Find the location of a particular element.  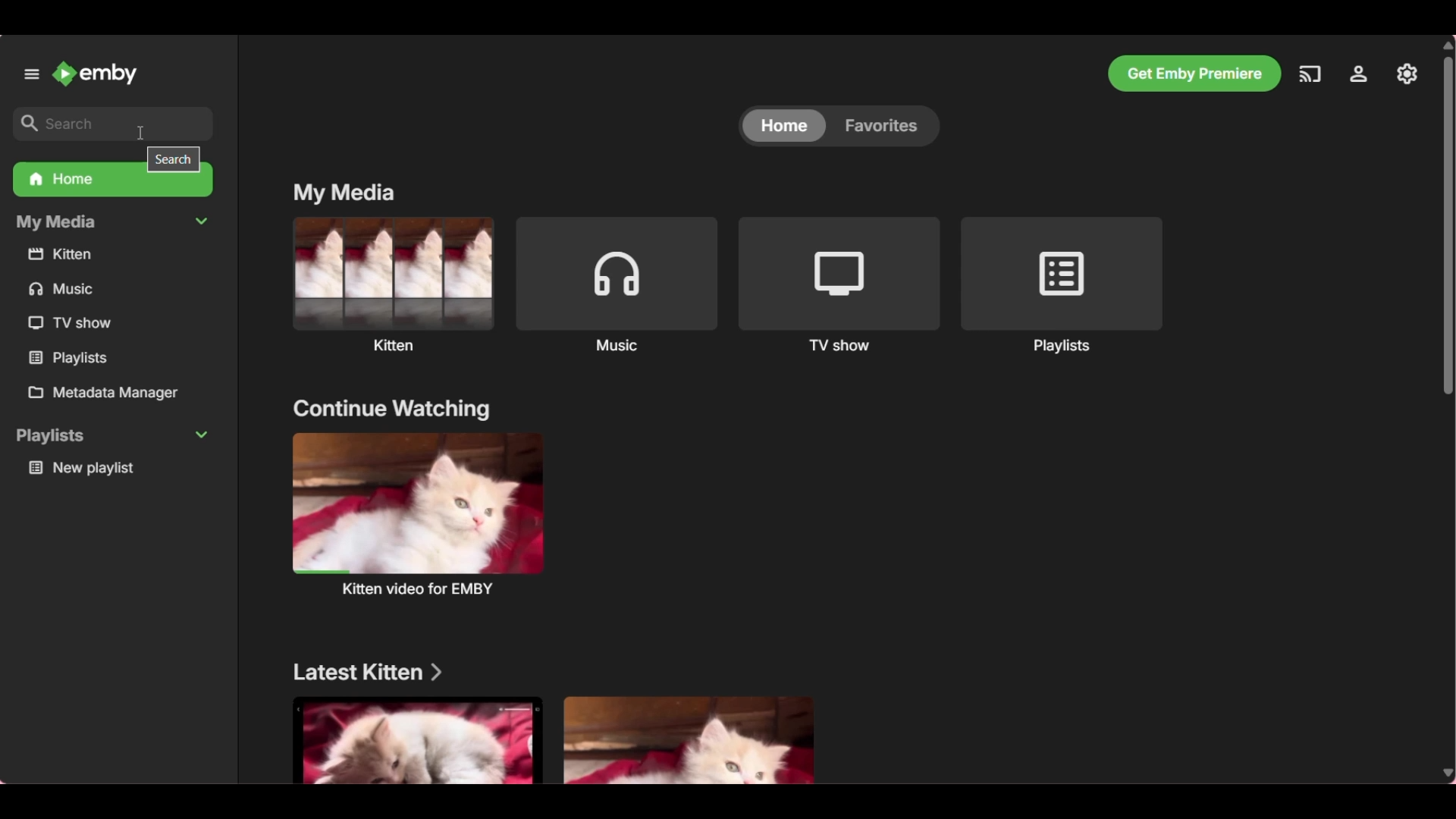

Settings is located at coordinates (1407, 72).